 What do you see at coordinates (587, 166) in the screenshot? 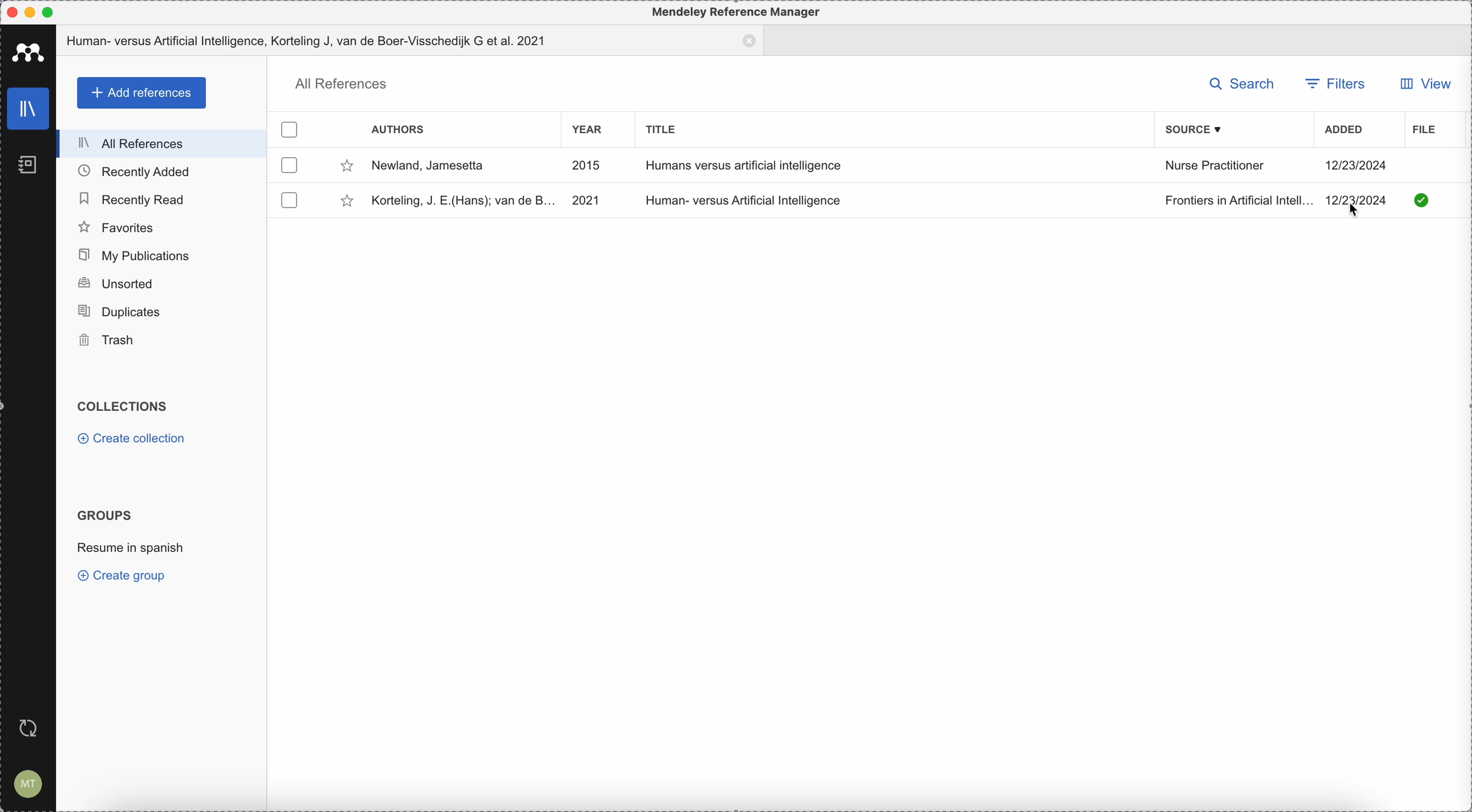
I see `2015` at bounding box center [587, 166].